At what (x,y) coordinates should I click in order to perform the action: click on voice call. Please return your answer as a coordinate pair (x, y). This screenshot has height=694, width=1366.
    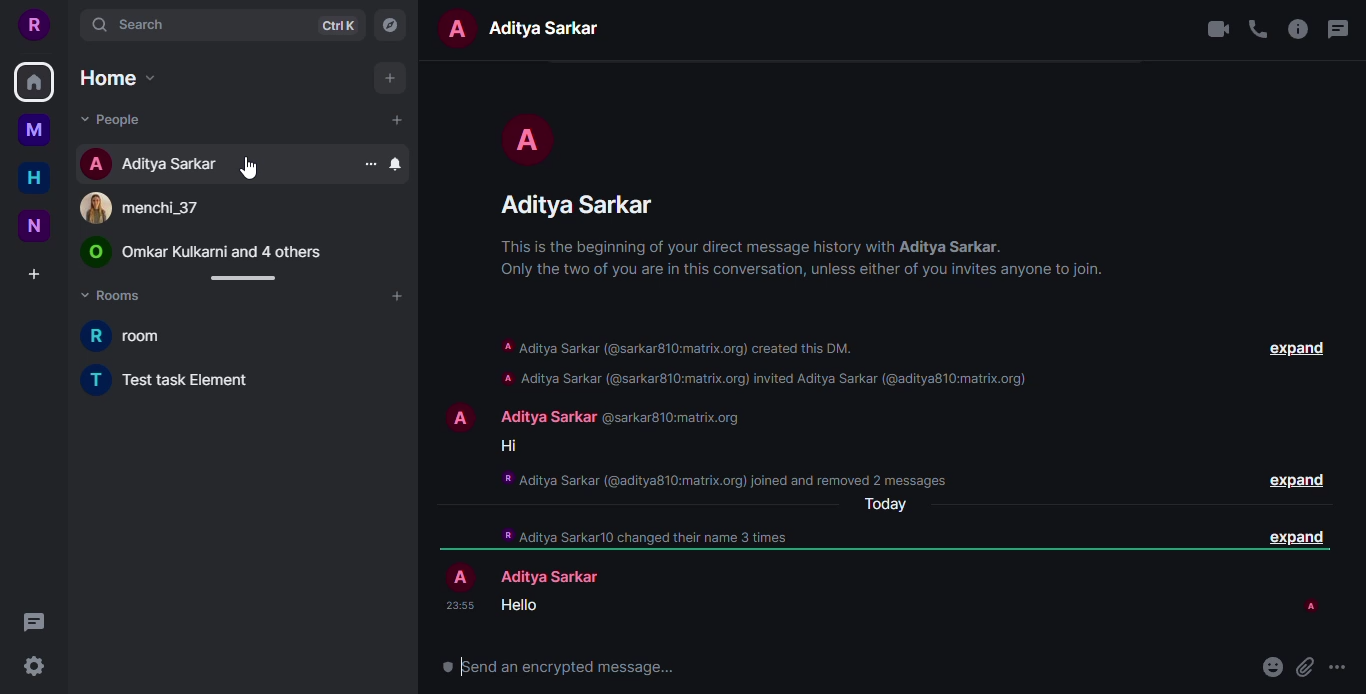
    Looking at the image, I should click on (1262, 28).